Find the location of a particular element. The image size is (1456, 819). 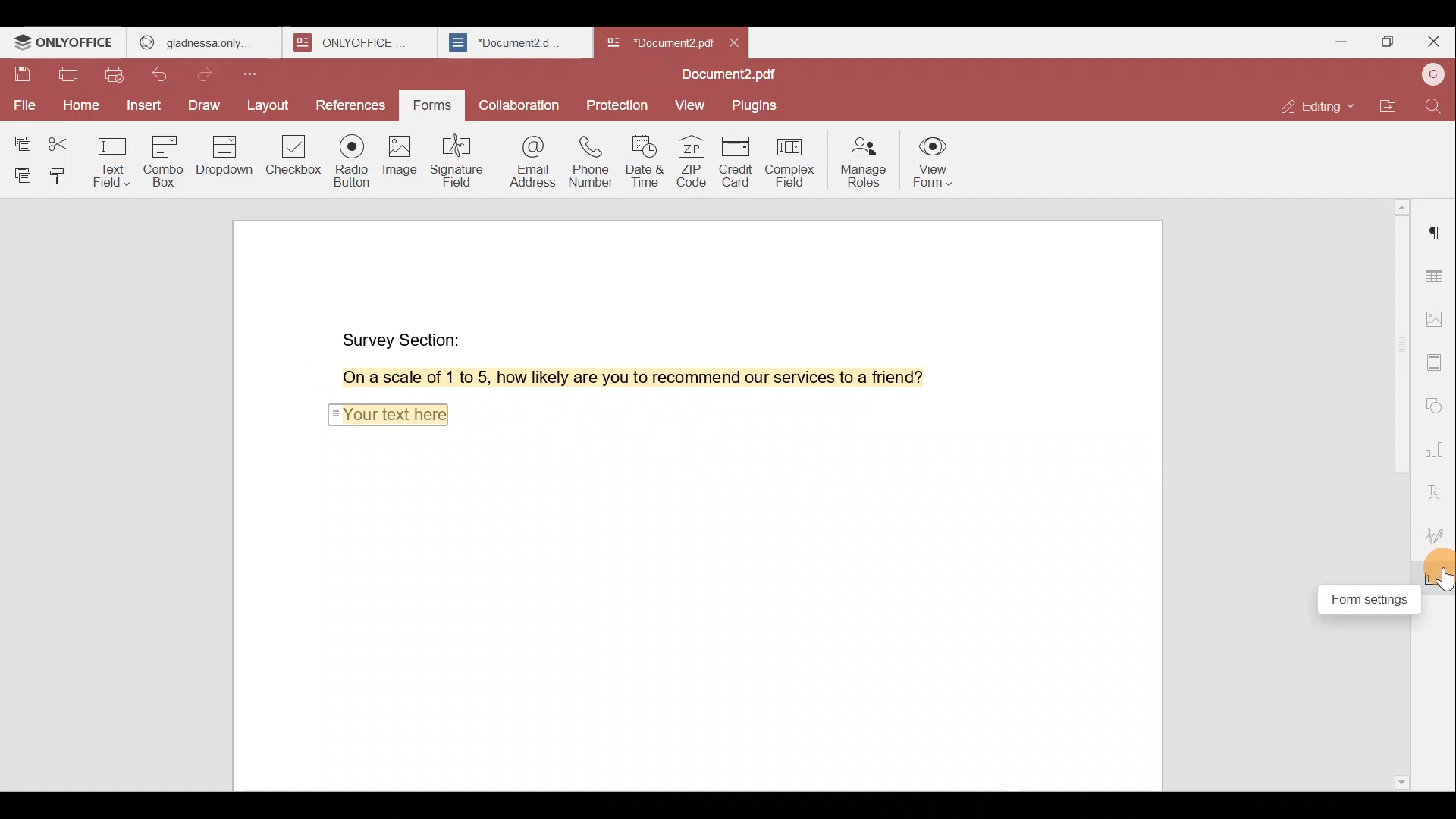

File is located at coordinates (23, 105).